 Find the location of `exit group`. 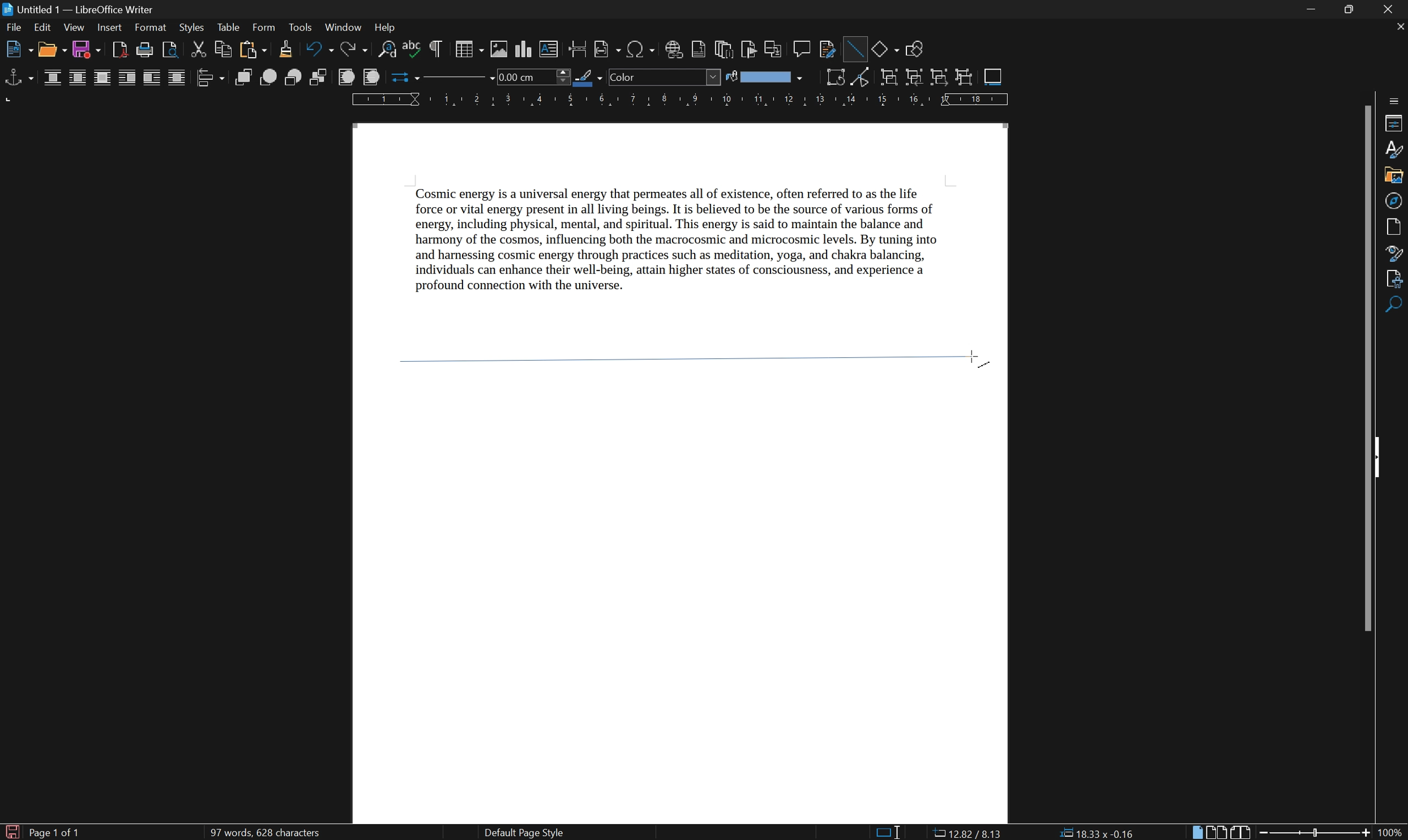

exit group is located at coordinates (941, 78).